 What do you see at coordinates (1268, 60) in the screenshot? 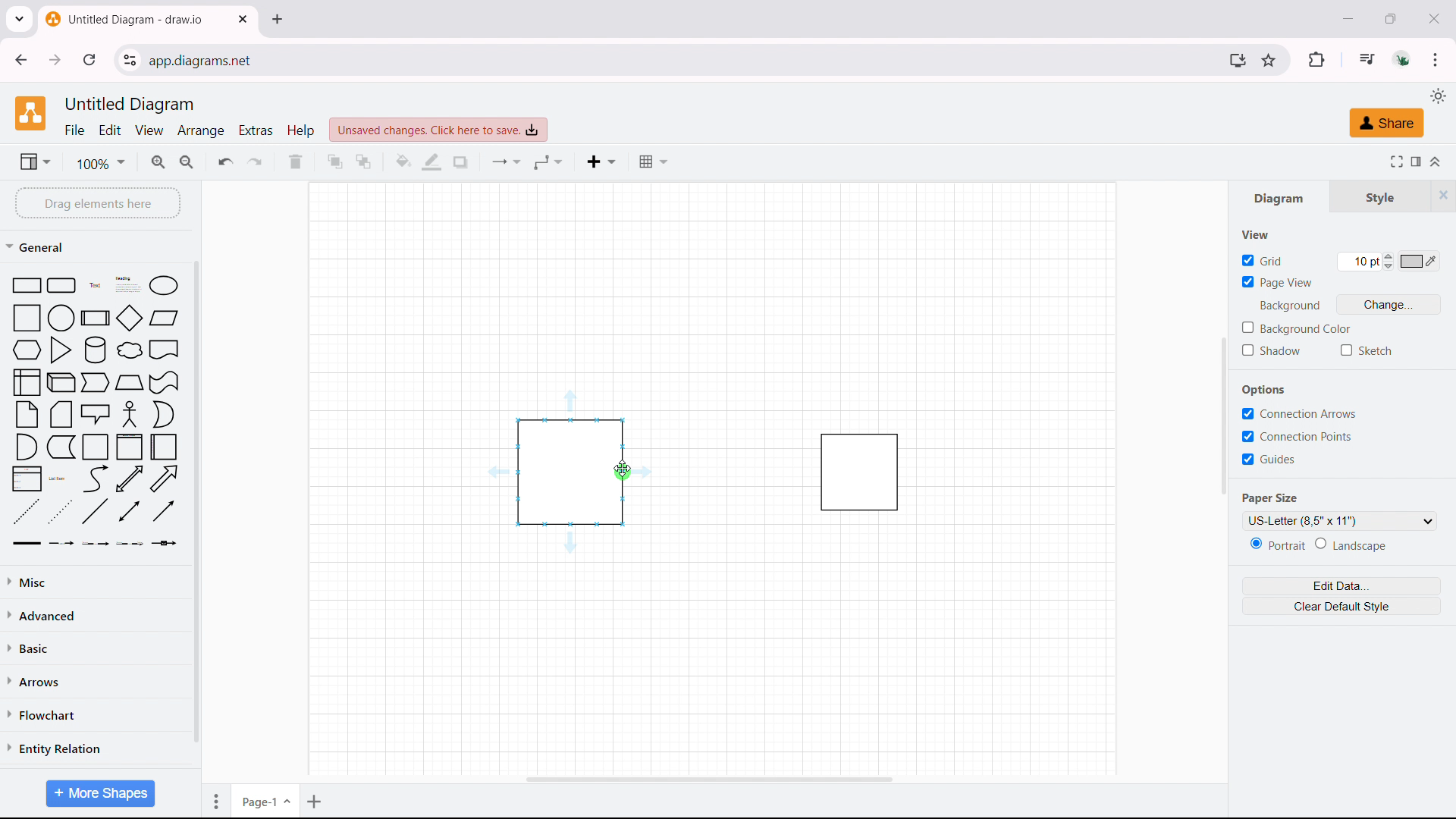
I see `bookmark this tab` at bounding box center [1268, 60].